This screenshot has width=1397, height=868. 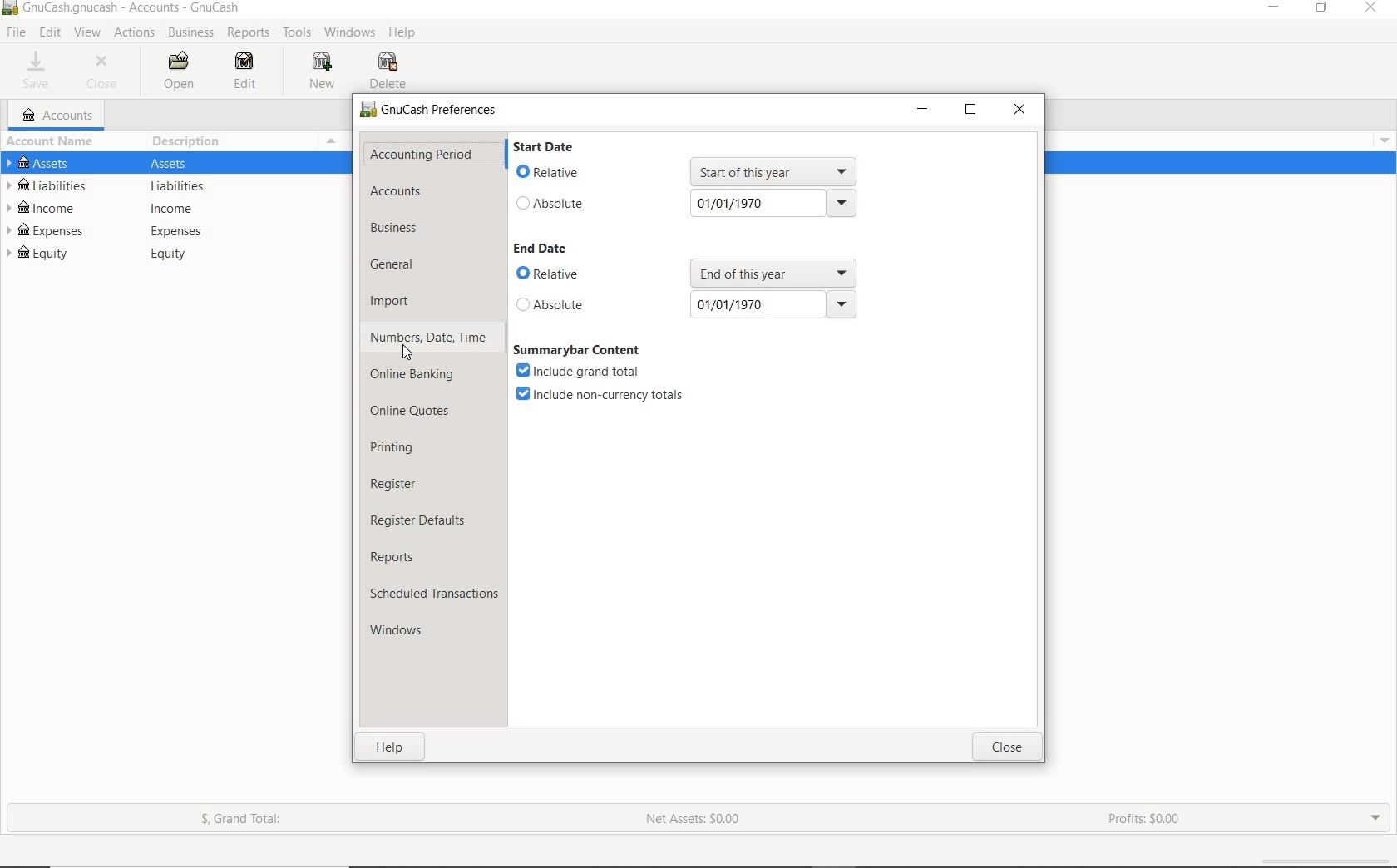 I want to click on EXPAND, so click(x=1374, y=816).